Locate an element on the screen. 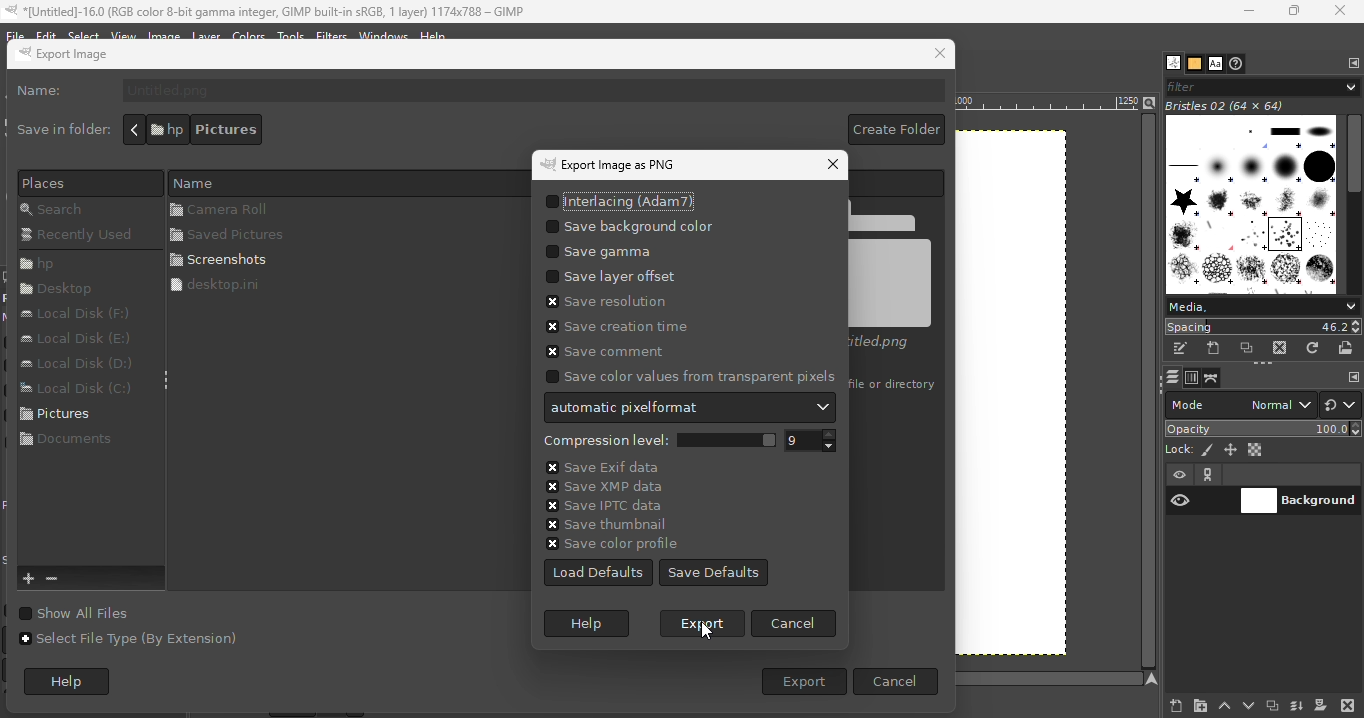  Document history is located at coordinates (1237, 64).